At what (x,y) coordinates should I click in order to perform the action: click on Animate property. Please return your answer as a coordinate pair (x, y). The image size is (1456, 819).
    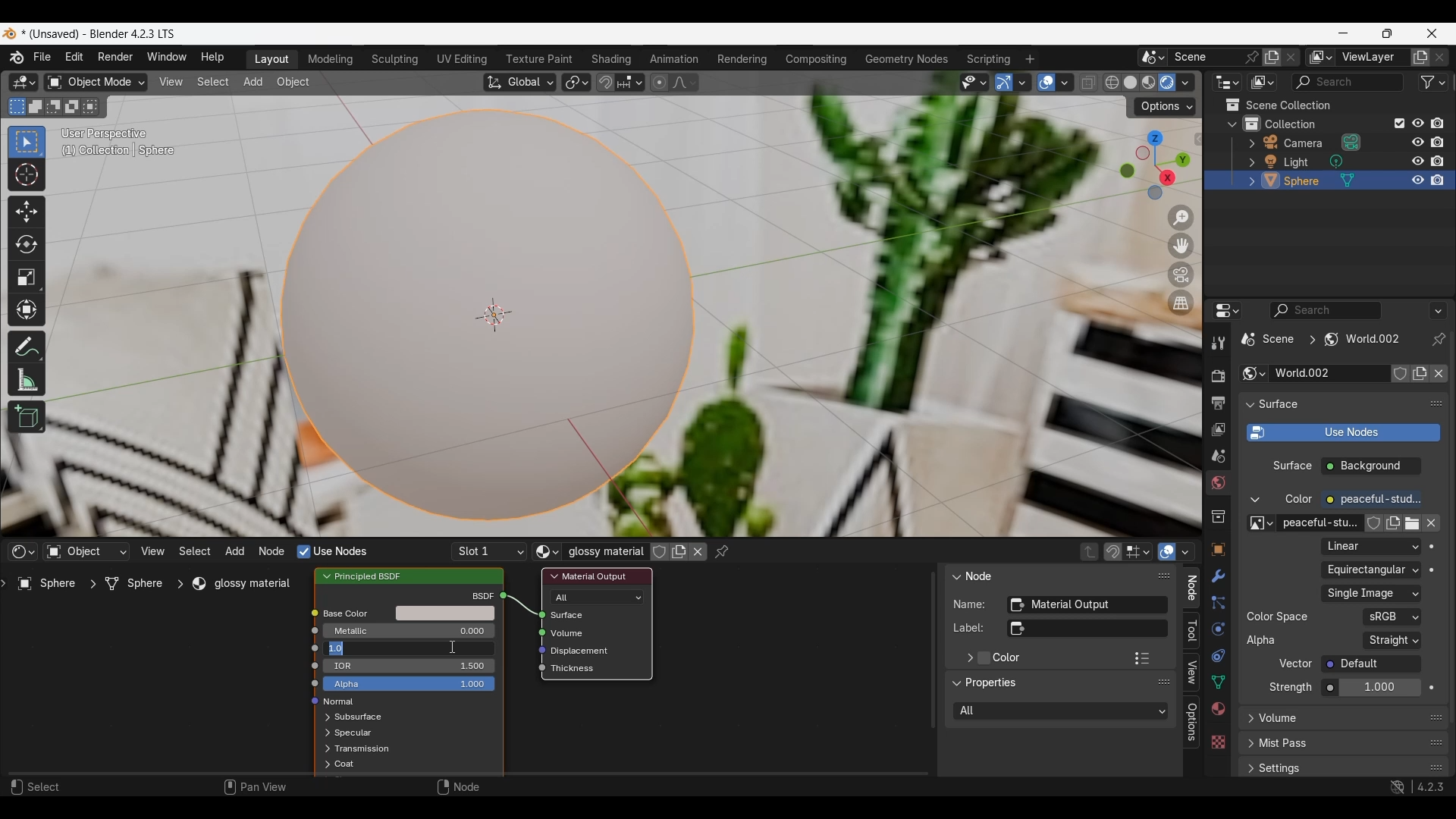
    Looking at the image, I should click on (1432, 688).